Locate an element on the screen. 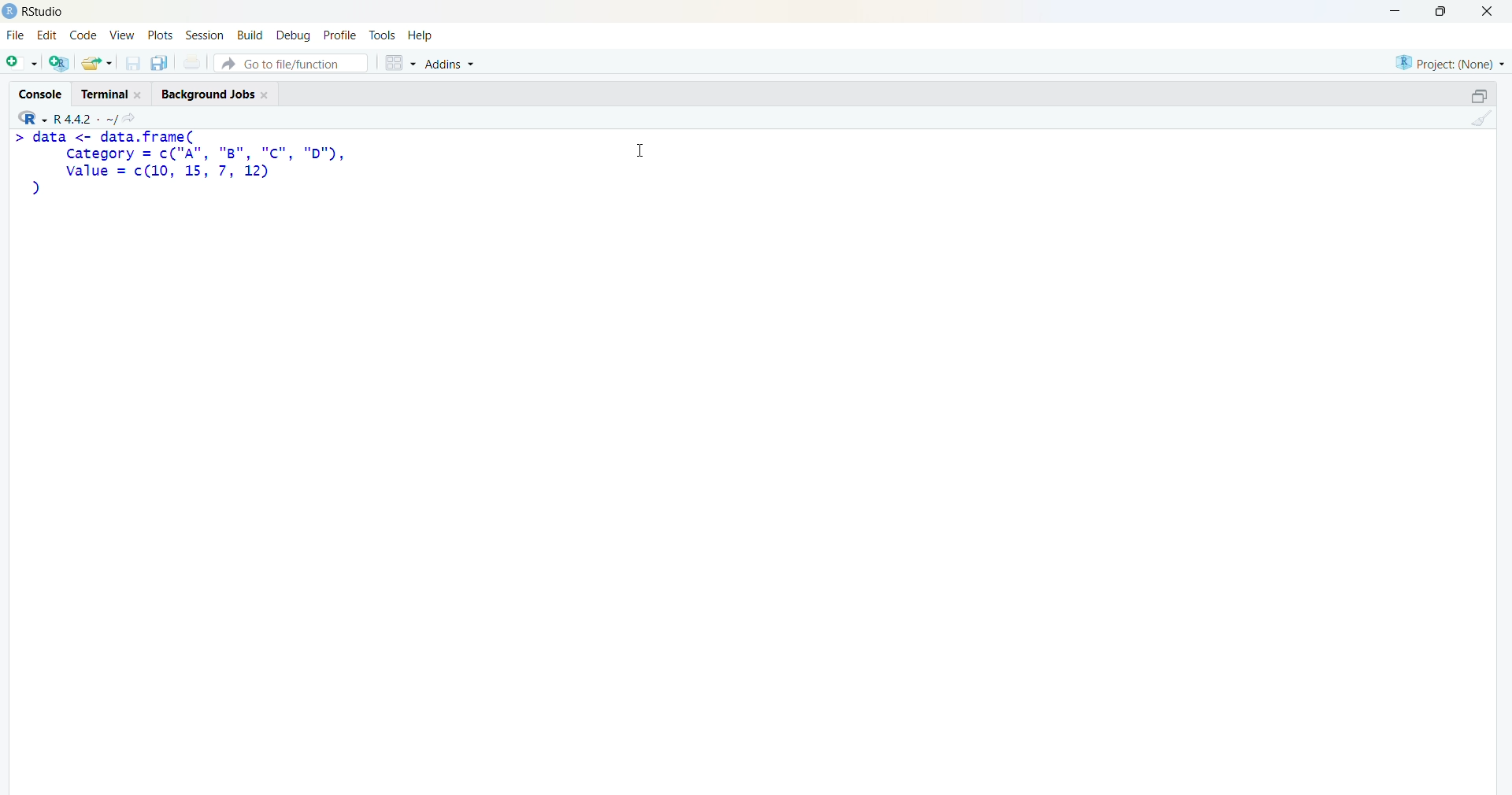 The image size is (1512, 795). Session is located at coordinates (205, 35).